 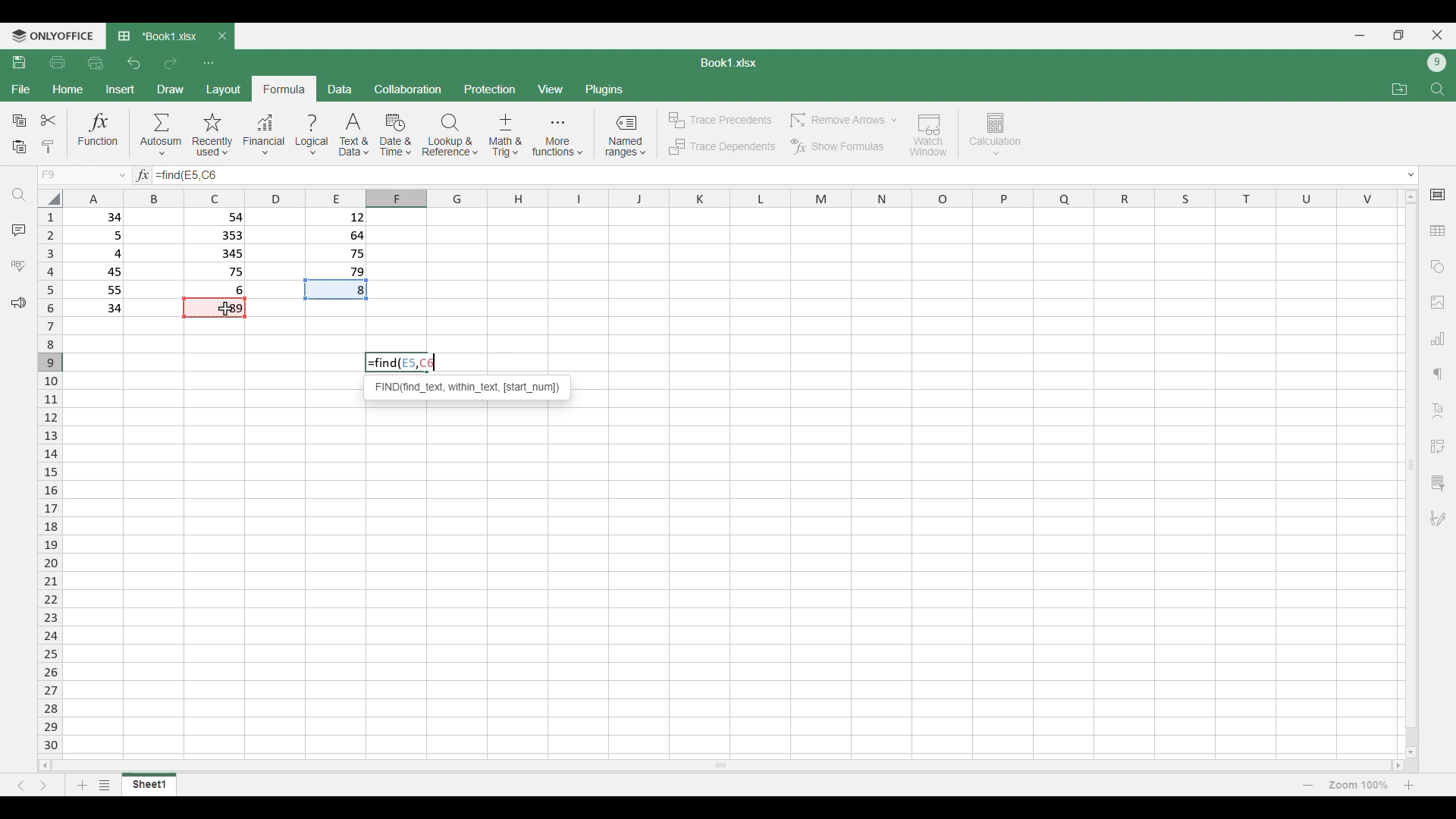 I want to click on Feedback and support, so click(x=18, y=303).